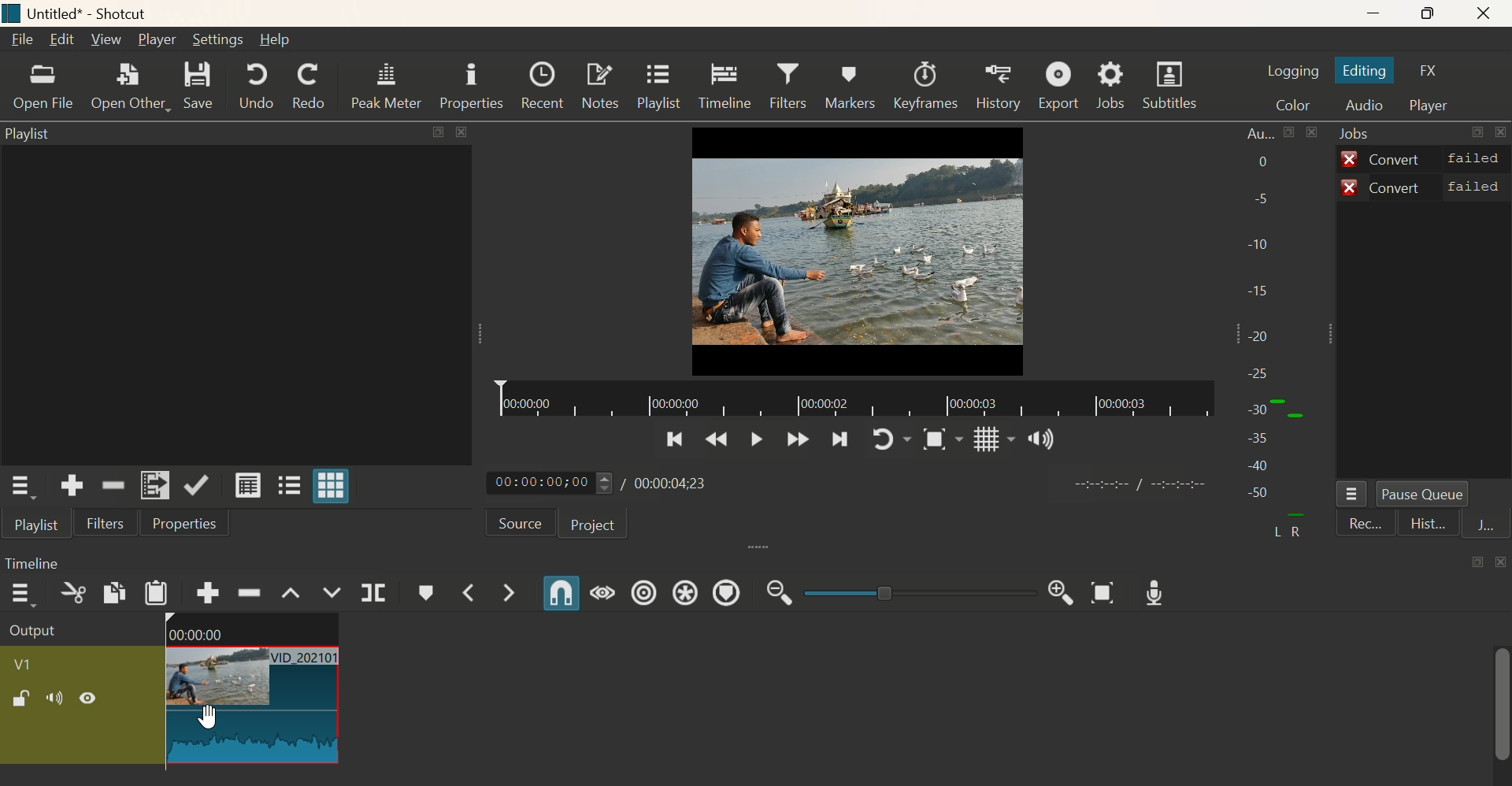  What do you see at coordinates (717, 443) in the screenshot?
I see `Previous` at bounding box center [717, 443].